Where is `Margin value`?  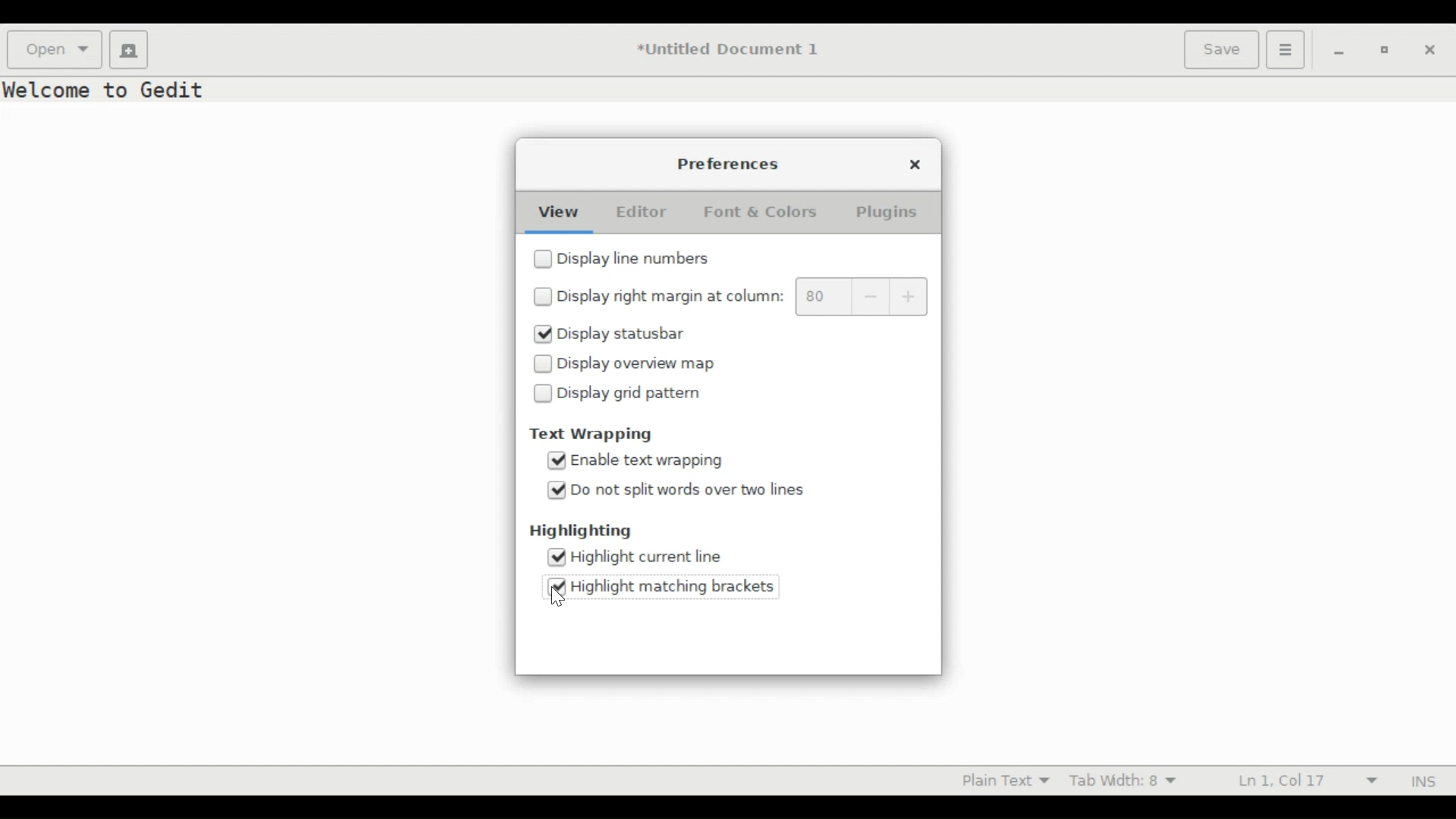
Margin value is located at coordinates (820, 297).